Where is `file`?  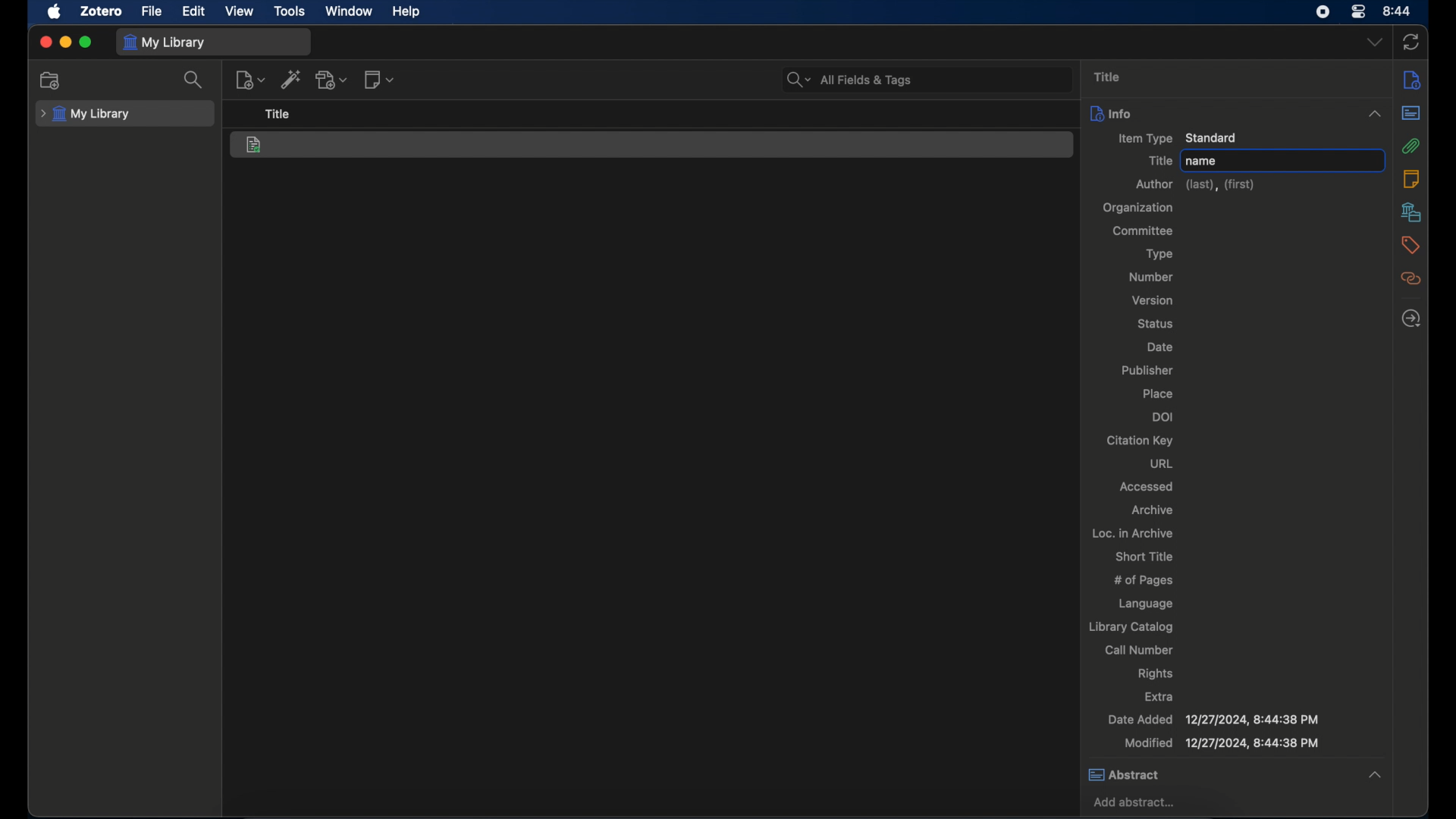
file is located at coordinates (151, 11).